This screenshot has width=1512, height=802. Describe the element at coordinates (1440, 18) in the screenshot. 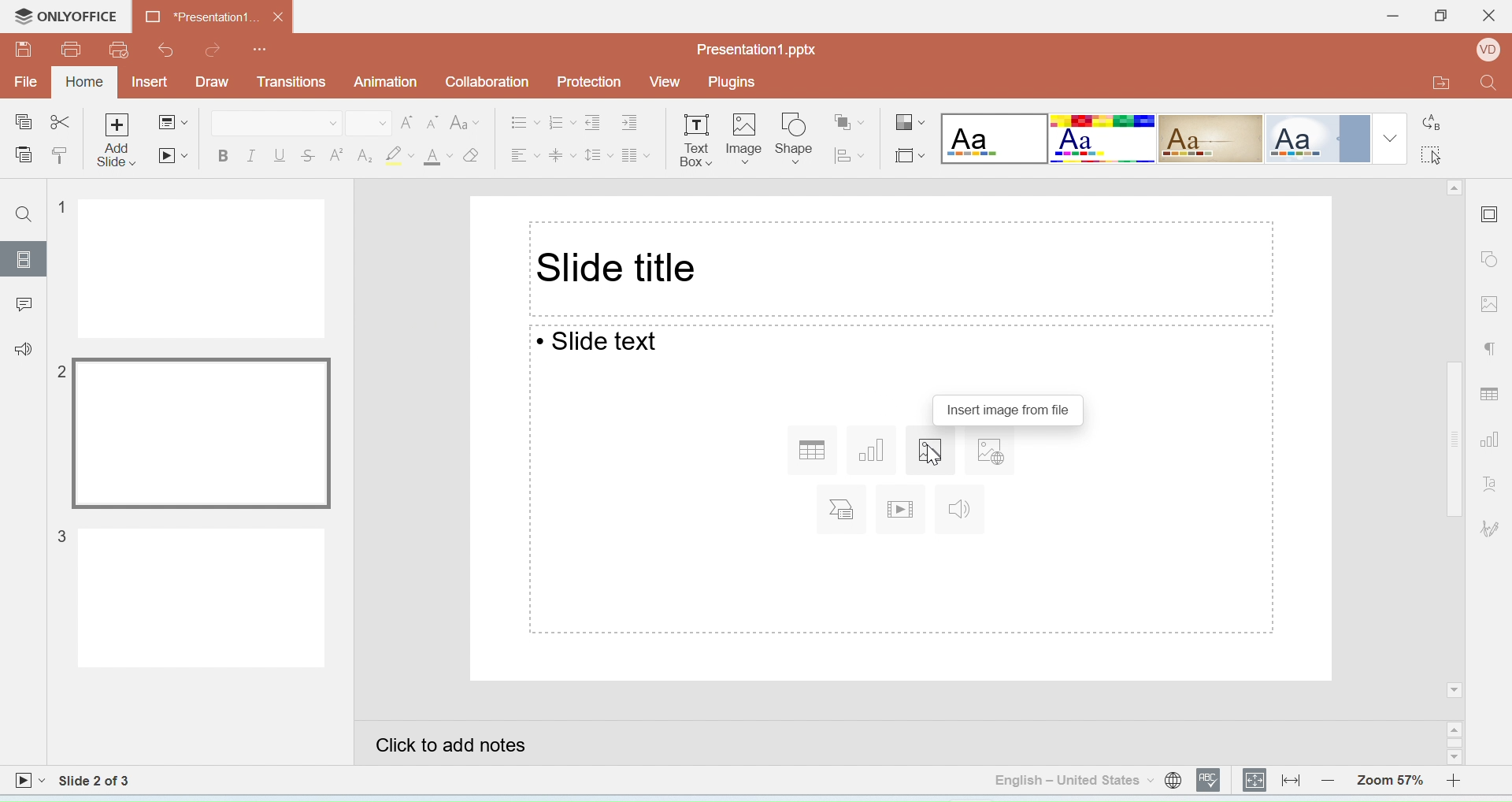

I see `Maximize` at that location.